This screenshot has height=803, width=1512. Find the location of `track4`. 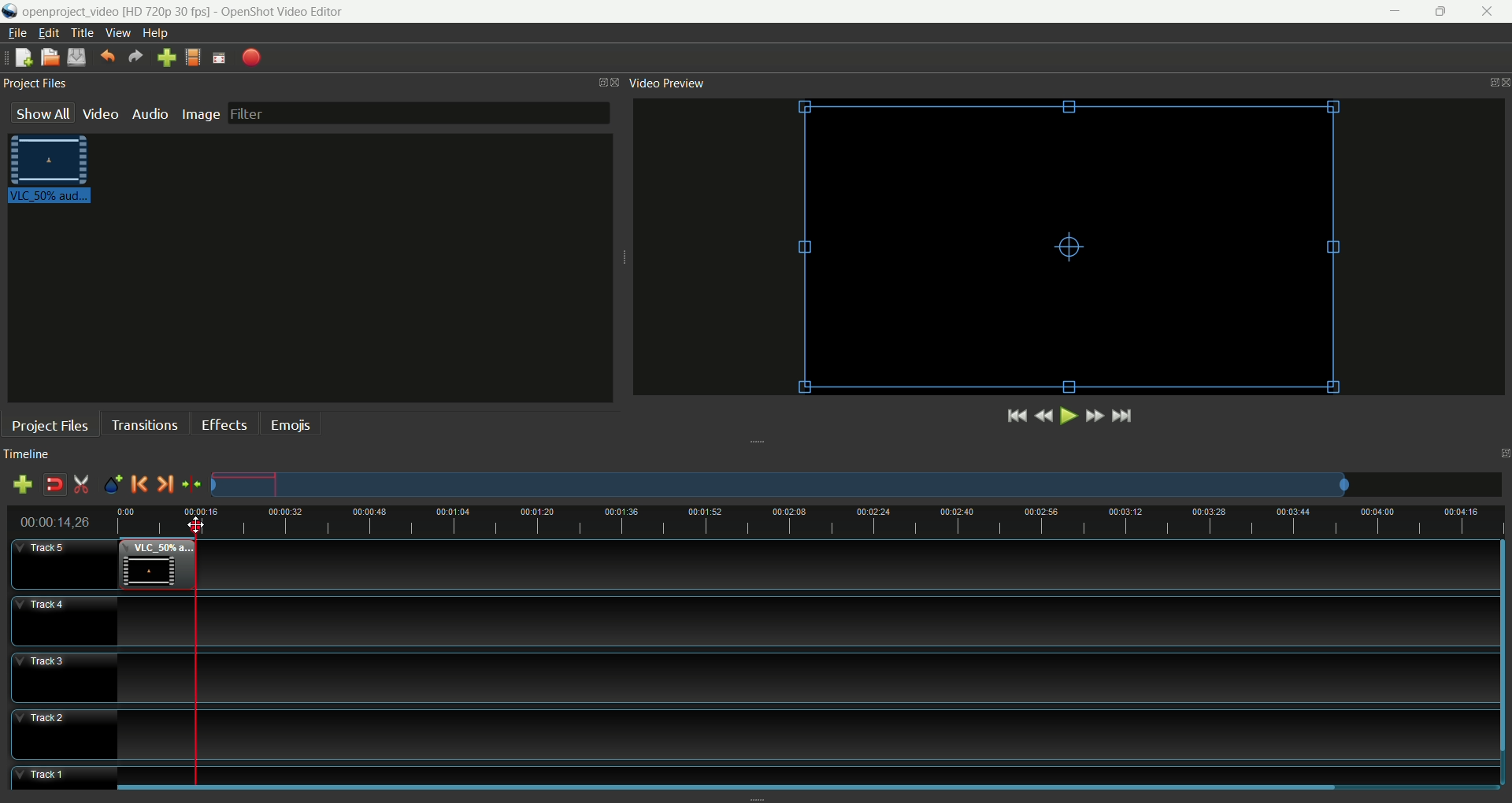

track4 is located at coordinates (64, 620).